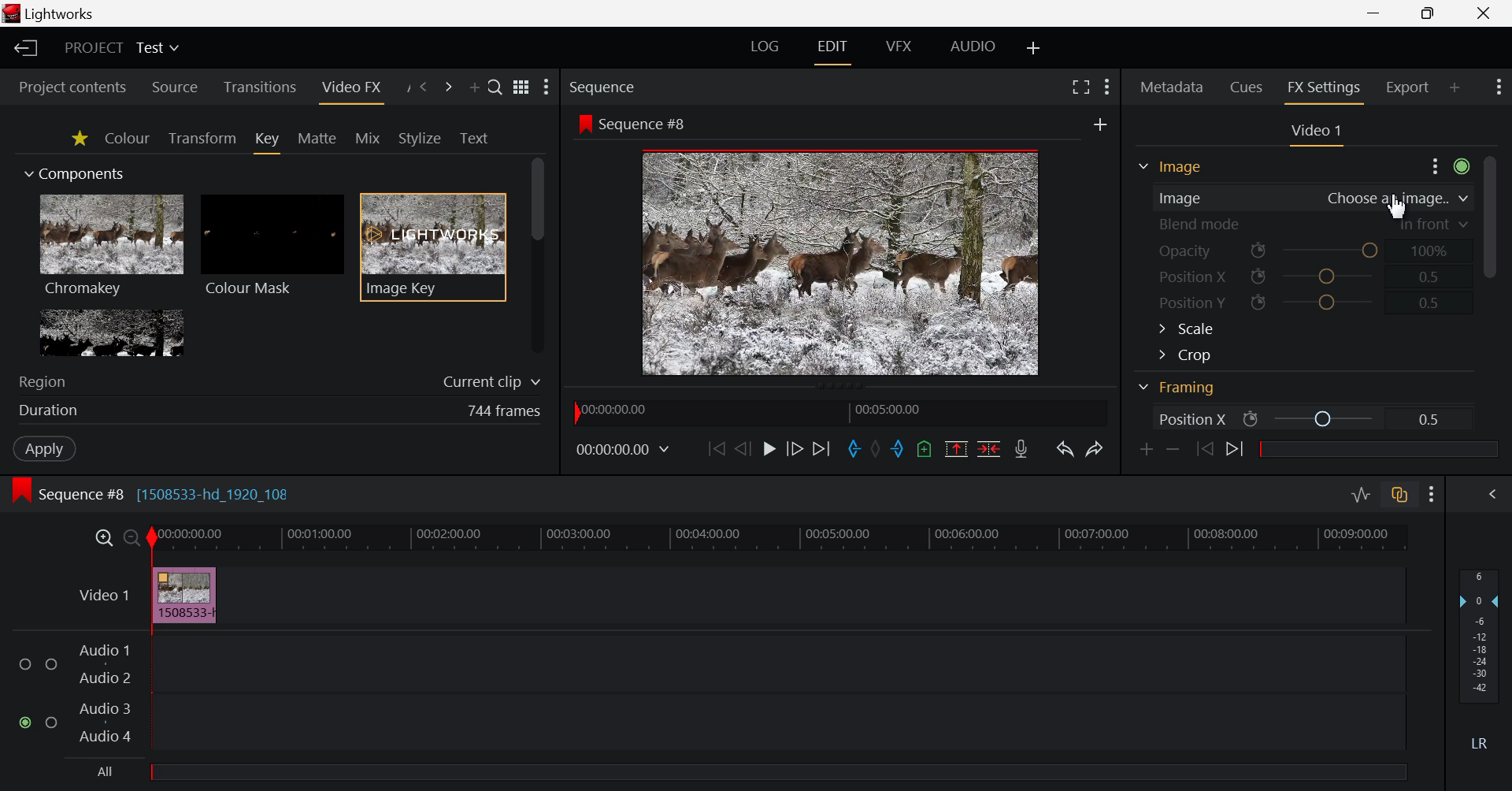 This screenshot has width=1512, height=791. I want to click on Position X, so click(1187, 418).